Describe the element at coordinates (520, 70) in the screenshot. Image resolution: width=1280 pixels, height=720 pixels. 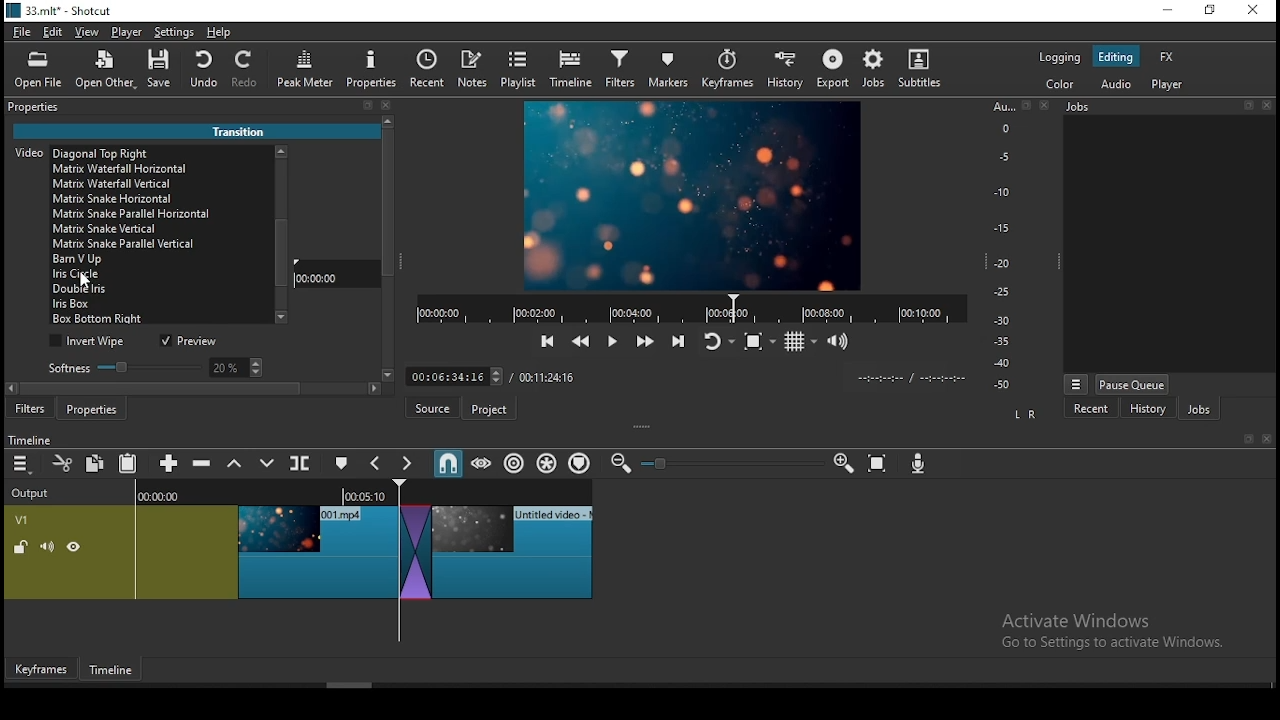
I see `playlist` at that location.